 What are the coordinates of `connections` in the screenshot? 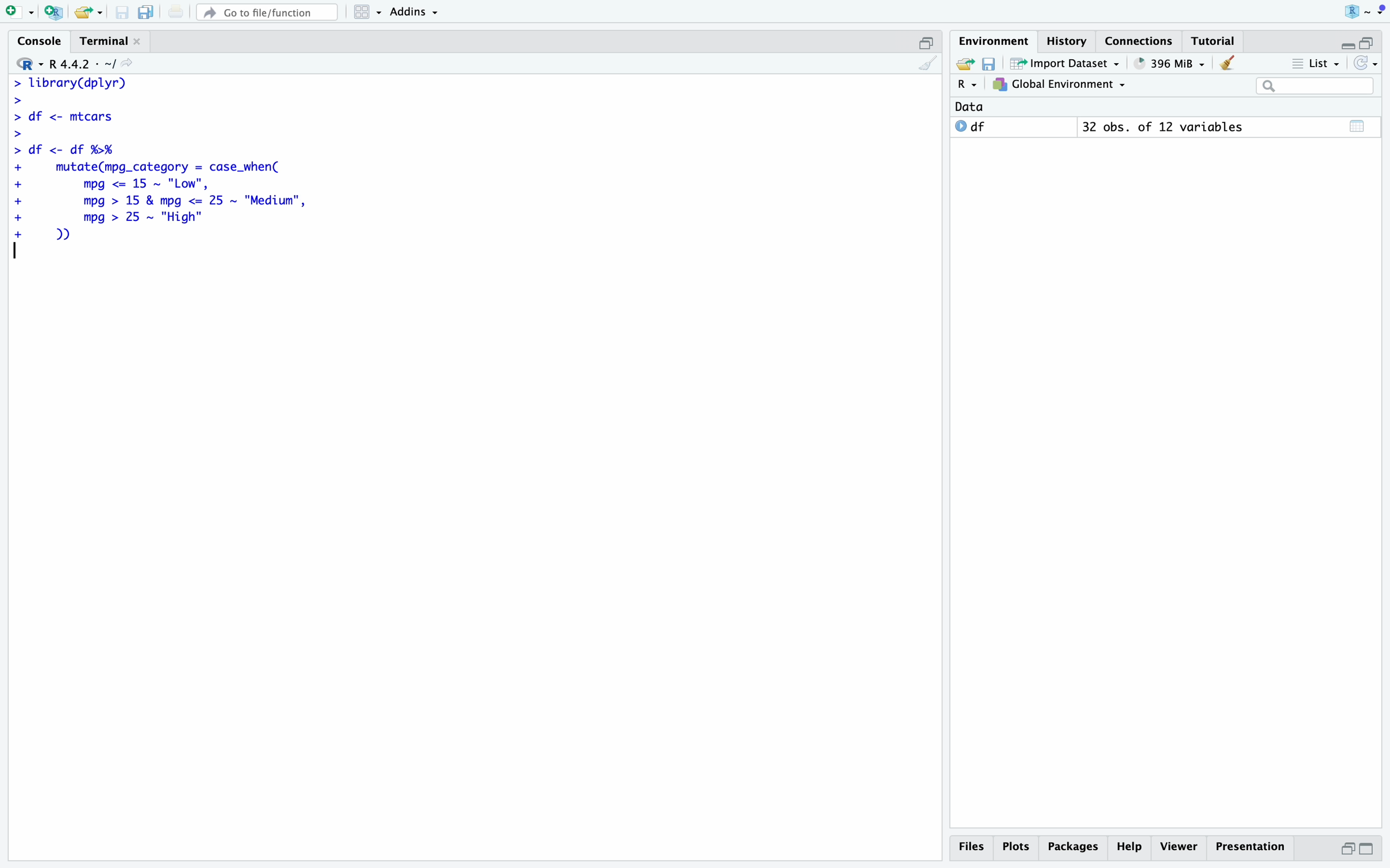 It's located at (1140, 41).